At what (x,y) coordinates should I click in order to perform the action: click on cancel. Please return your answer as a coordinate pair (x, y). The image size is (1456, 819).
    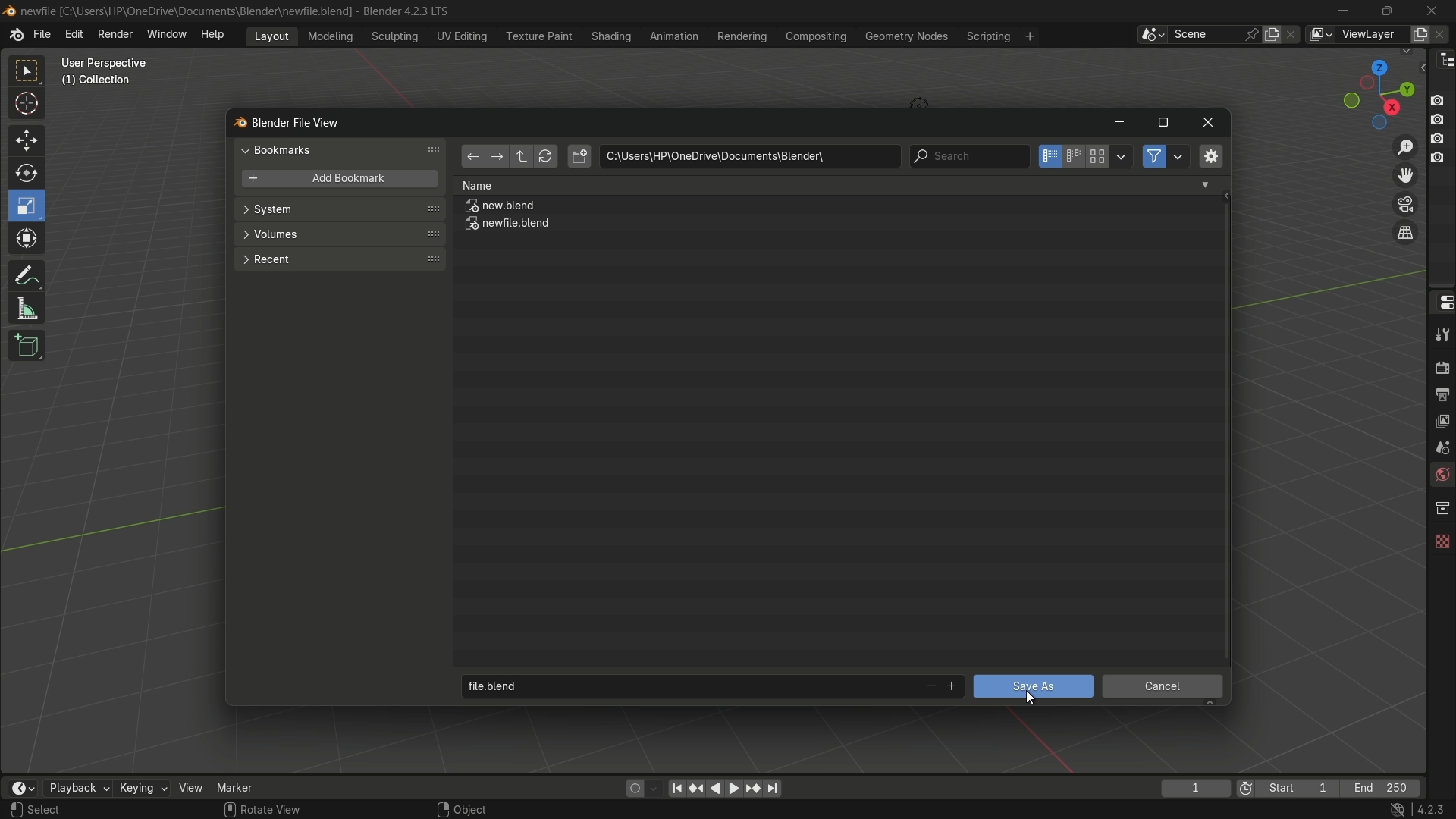
    Looking at the image, I should click on (1163, 689).